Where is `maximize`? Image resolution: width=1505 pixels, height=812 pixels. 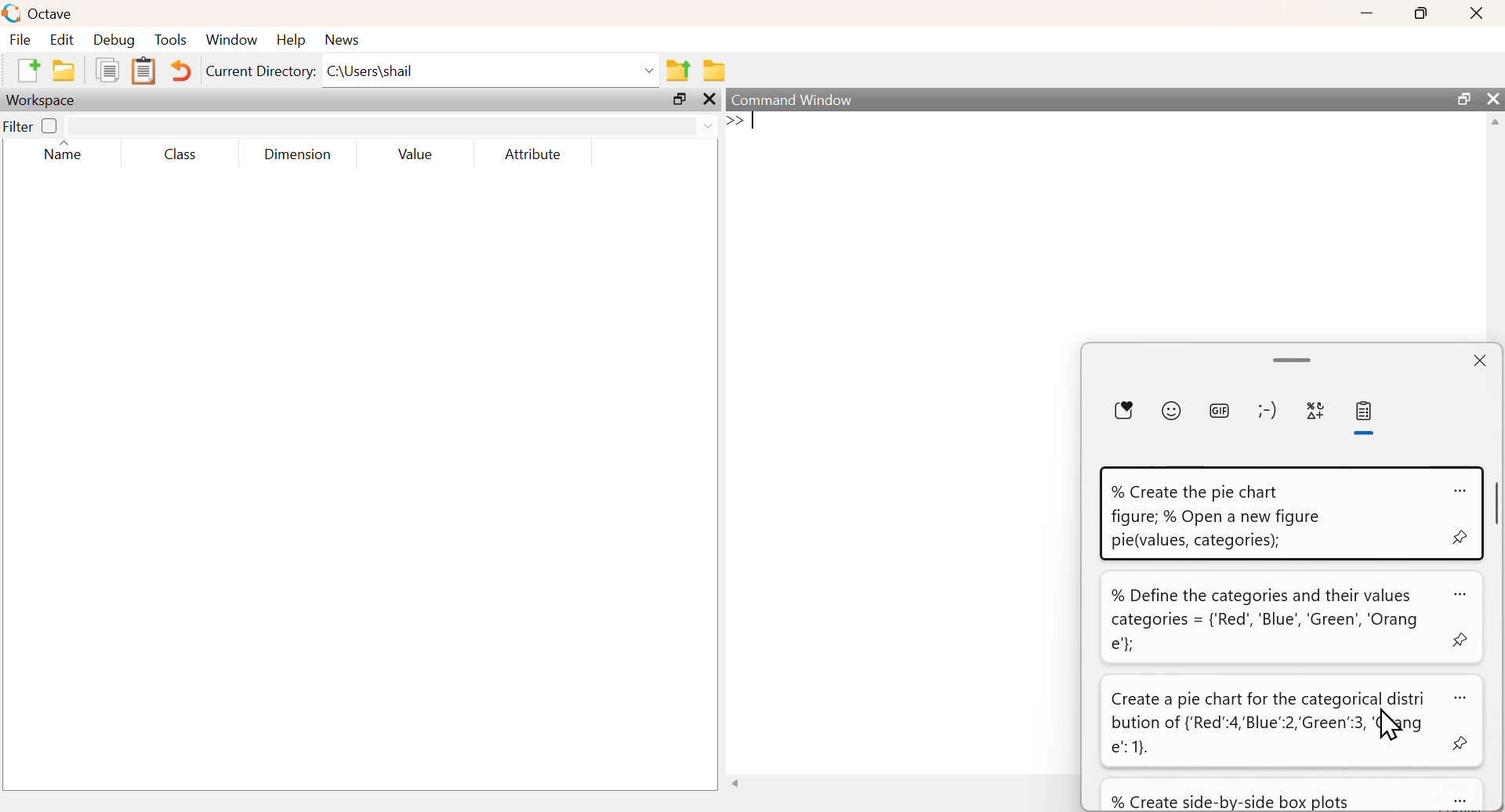
maximize is located at coordinates (678, 99).